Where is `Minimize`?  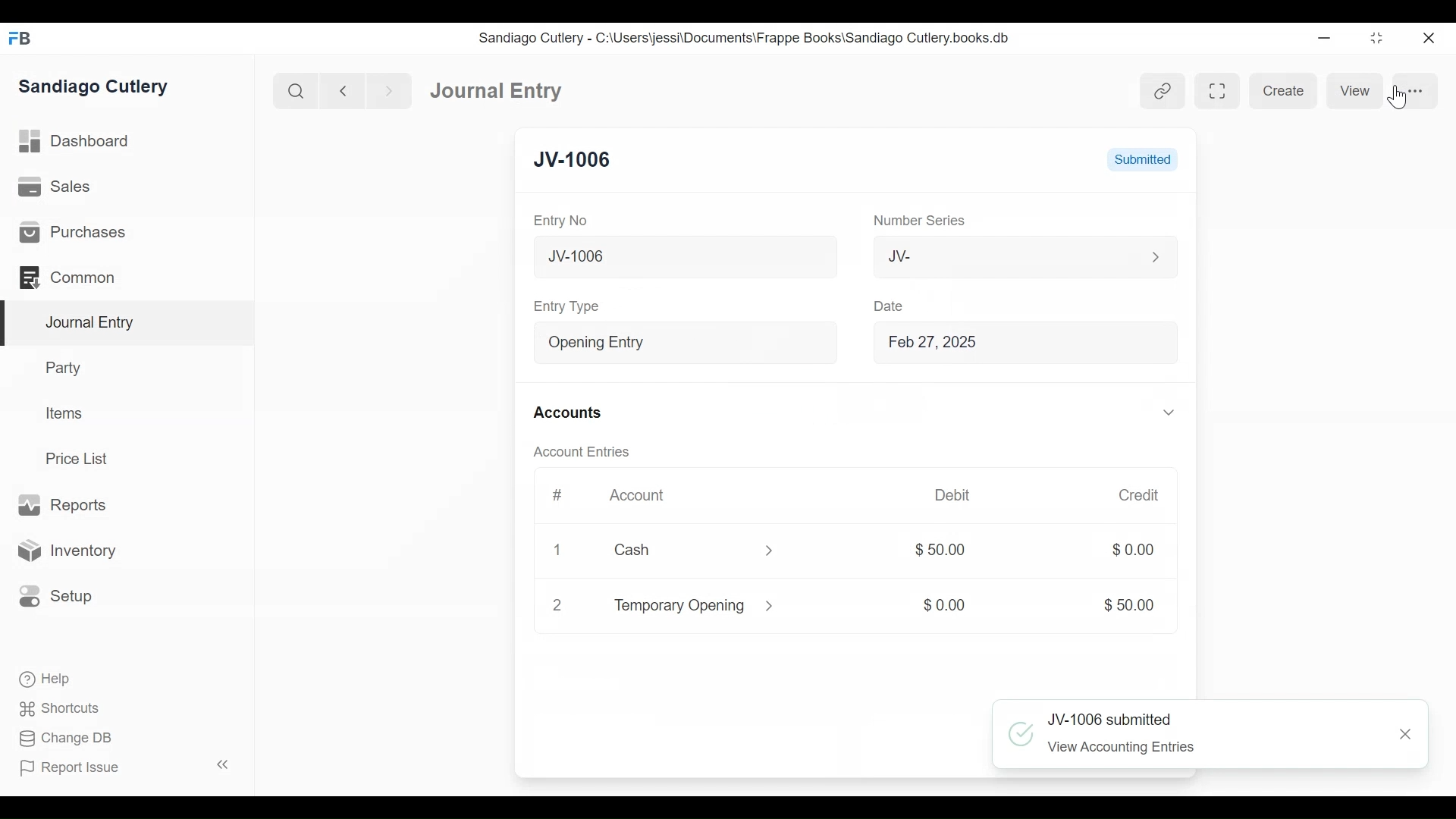 Minimize is located at coordinates (1326, 37).